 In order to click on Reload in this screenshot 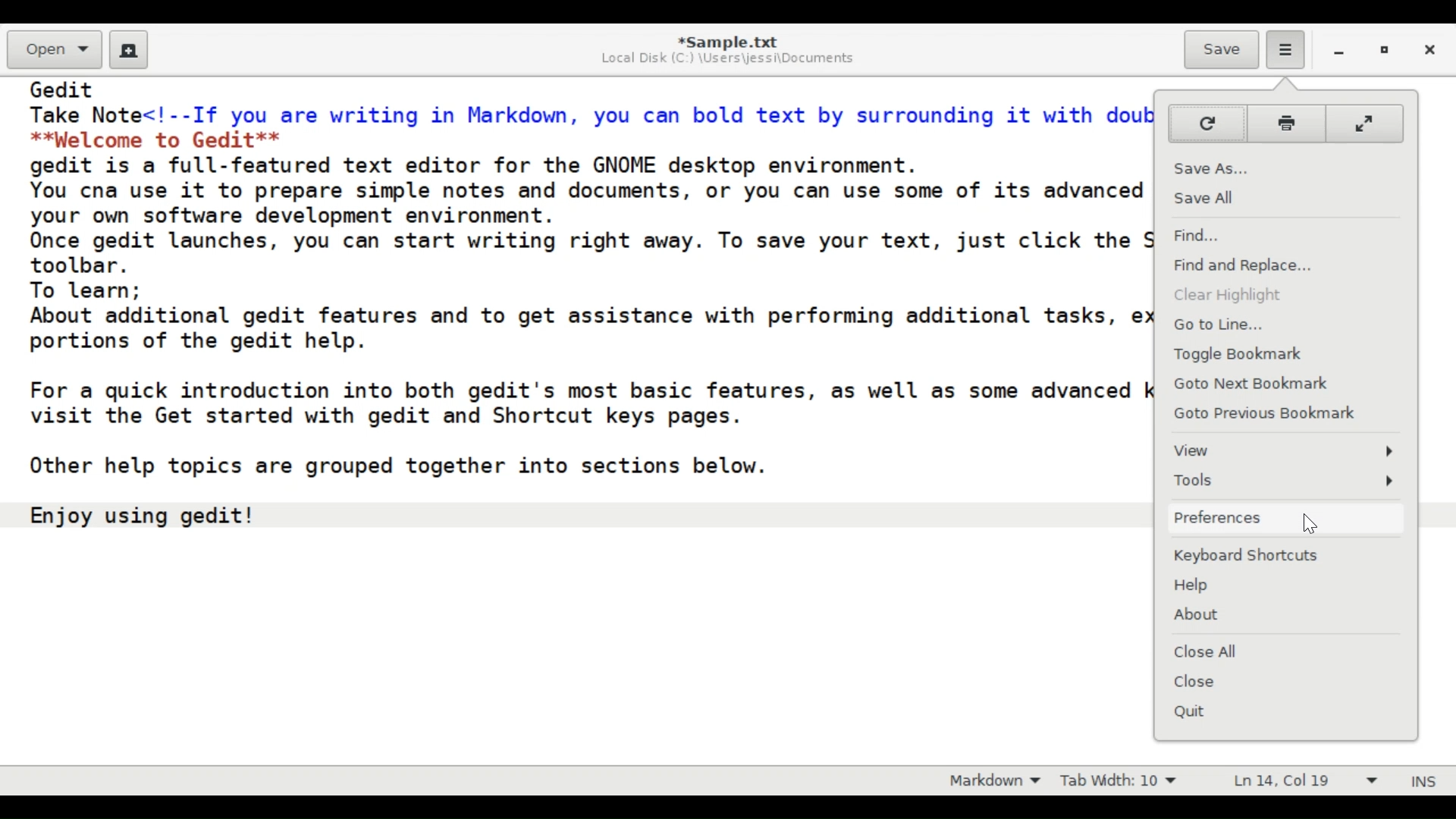, I will do `click(1205, 122)`.